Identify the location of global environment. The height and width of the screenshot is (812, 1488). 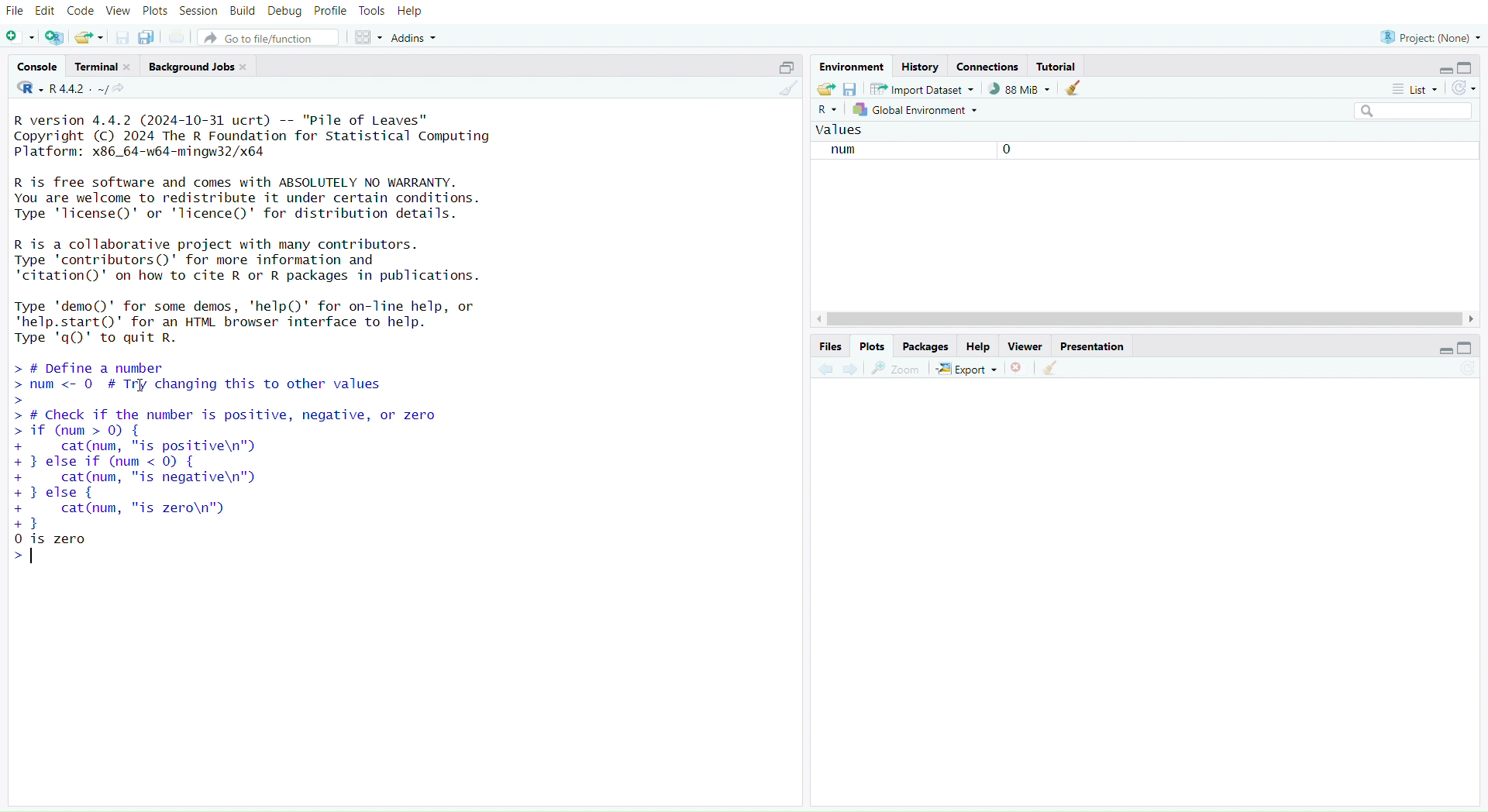
(917, 112).